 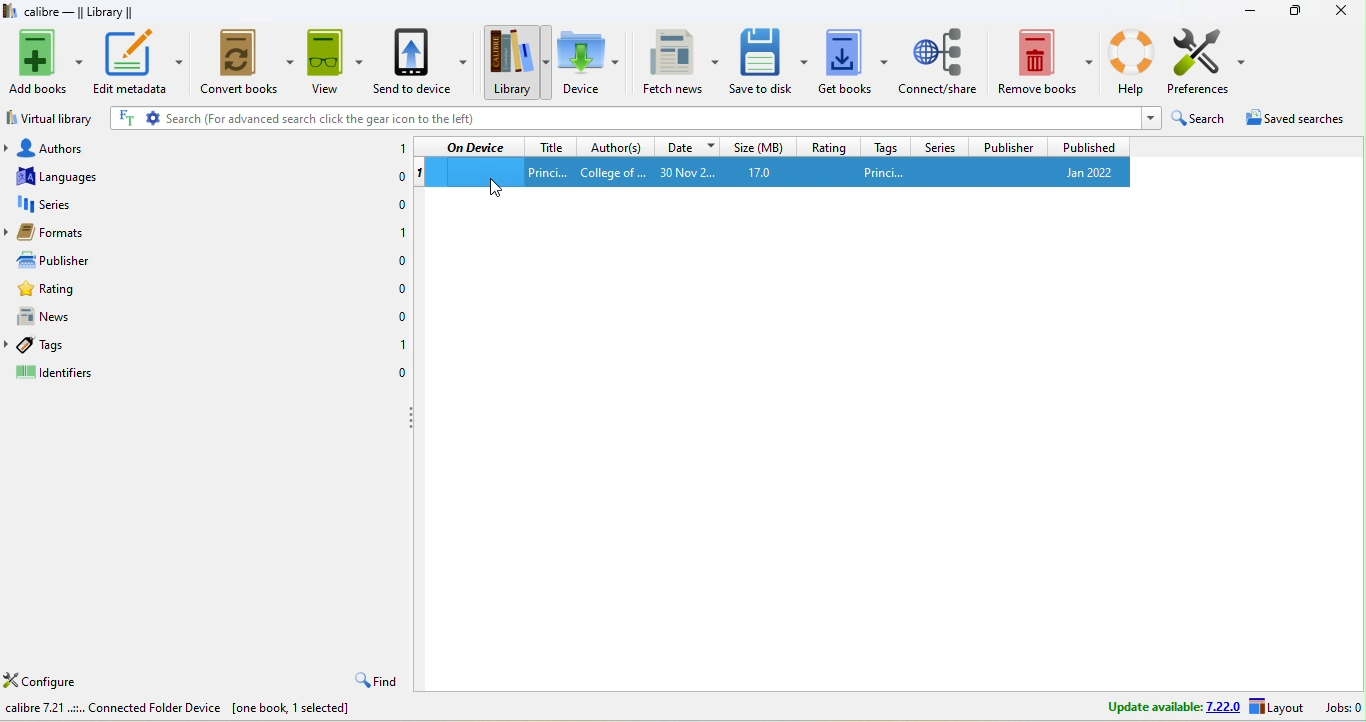 I want to click on calibre7.21 connected folder device [one book ,1 selected], so click(x=182, y=711).